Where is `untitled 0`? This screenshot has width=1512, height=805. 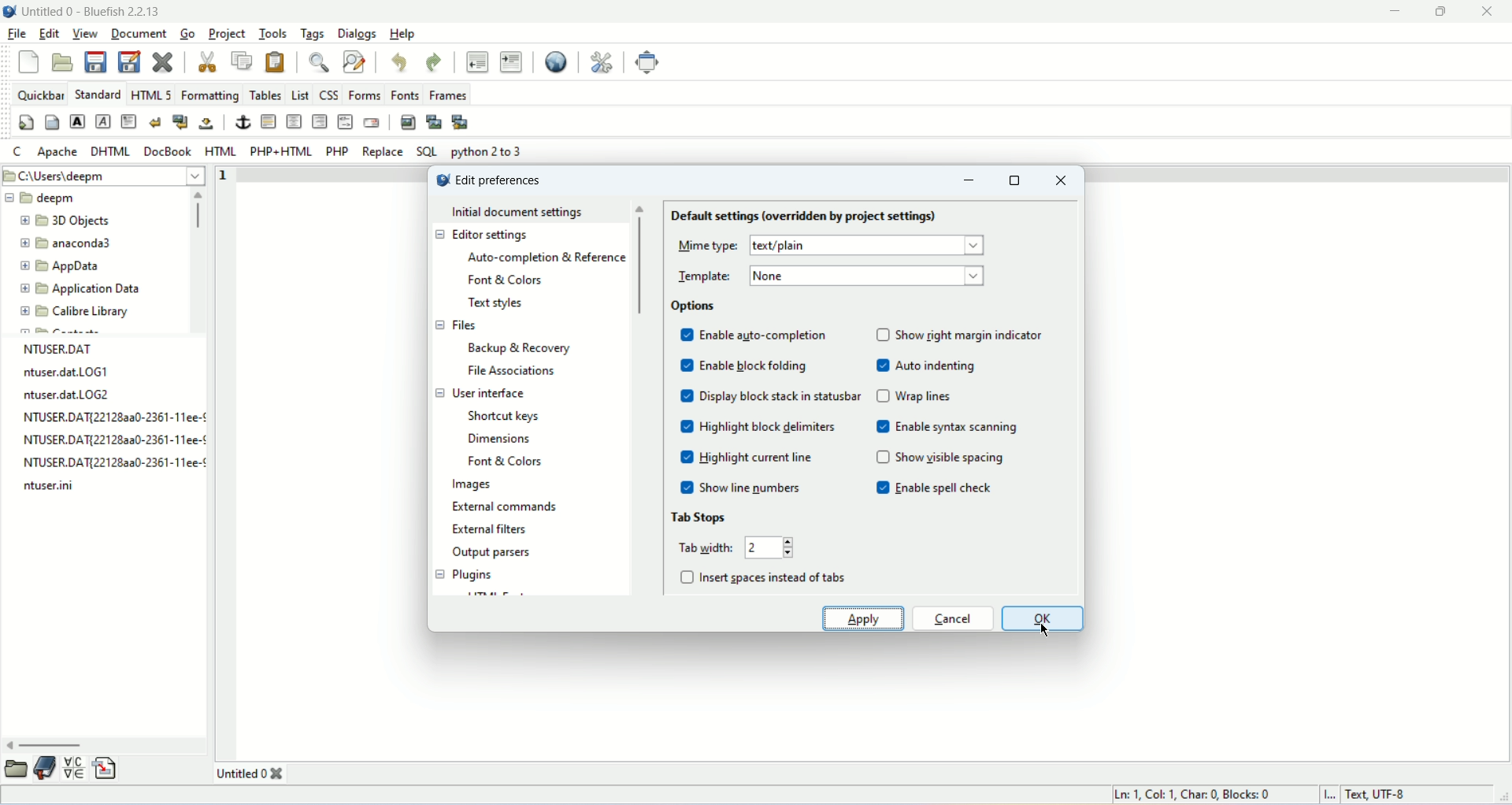 untitled 0 is located at coordinates (249, 774).